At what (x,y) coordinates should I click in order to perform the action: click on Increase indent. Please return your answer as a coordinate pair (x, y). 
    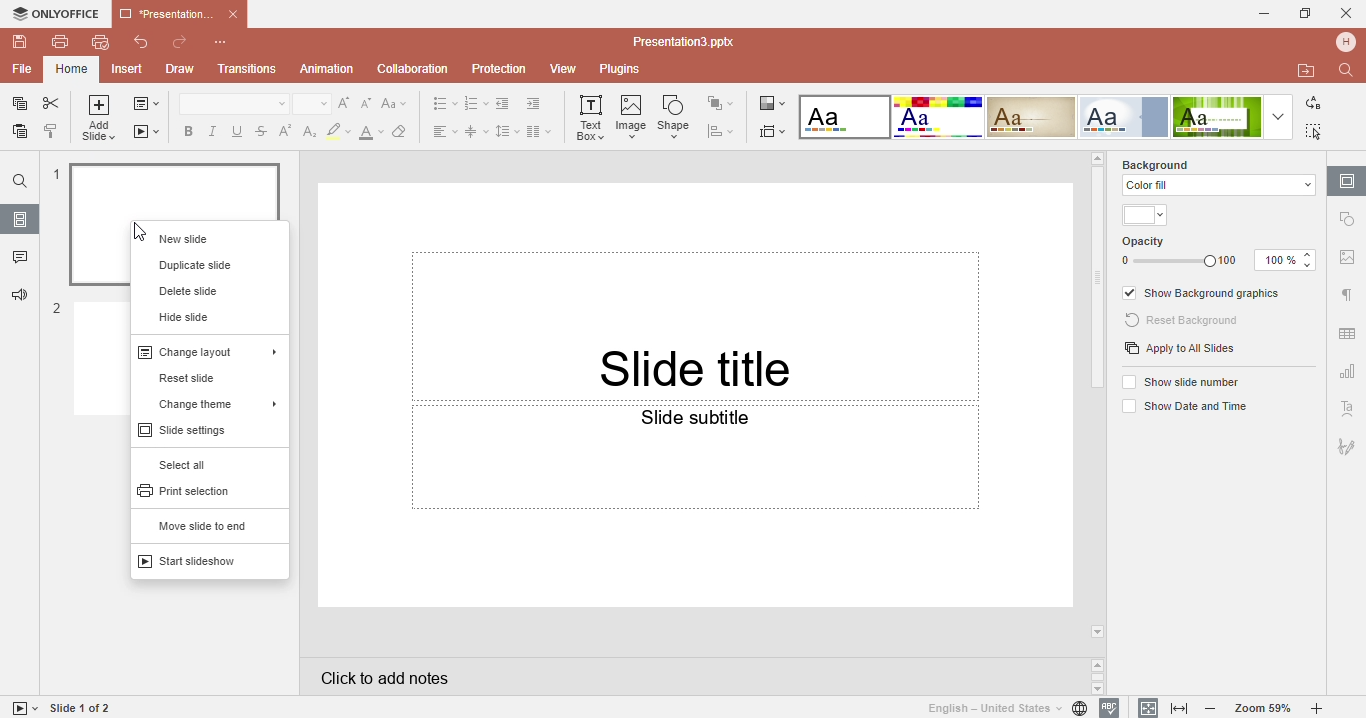
    Looking at the image, I should click on (538, 104).